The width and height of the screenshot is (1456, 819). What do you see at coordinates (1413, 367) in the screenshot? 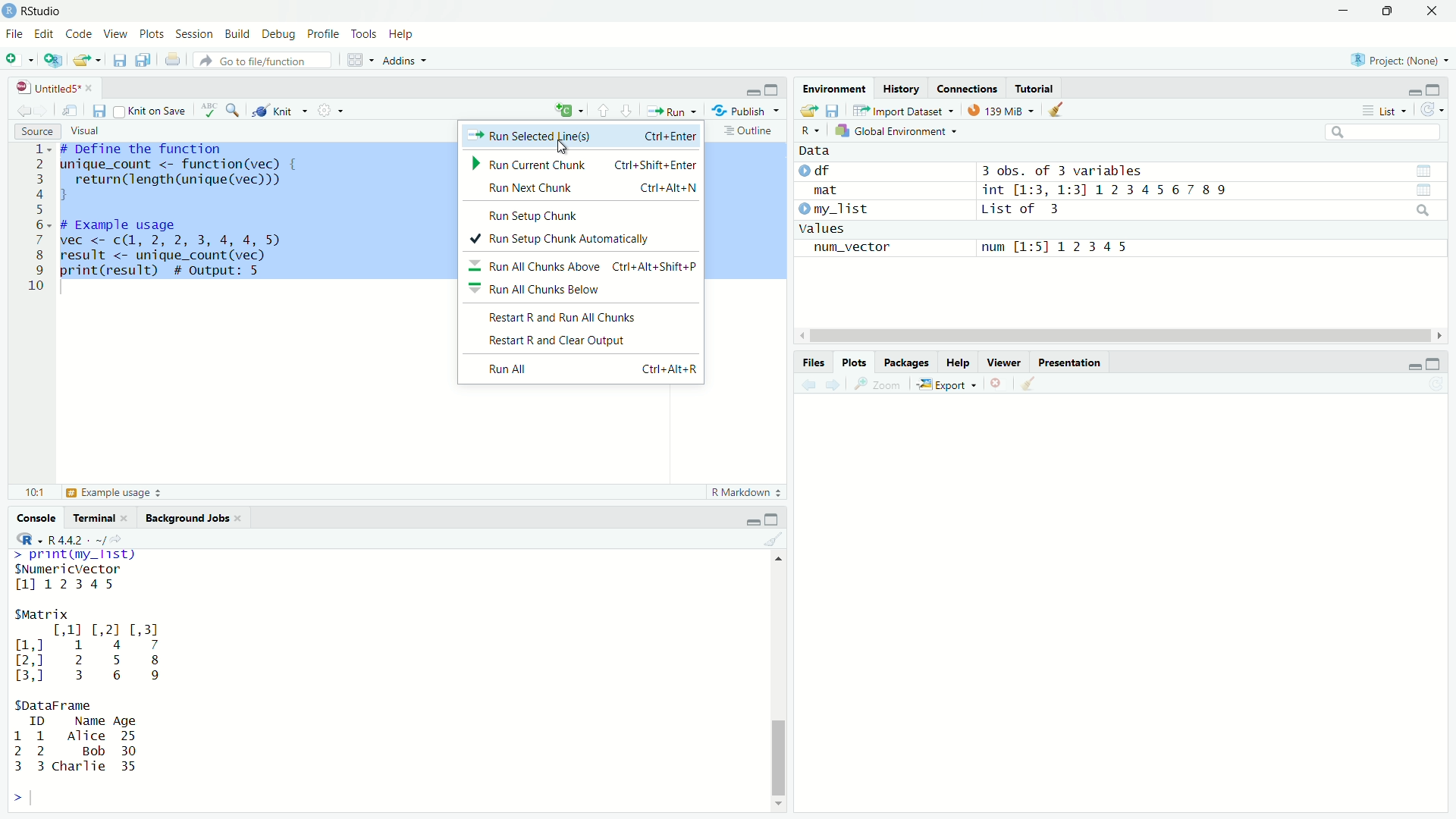
I see `minimize` at bounding box center [1413, 367].